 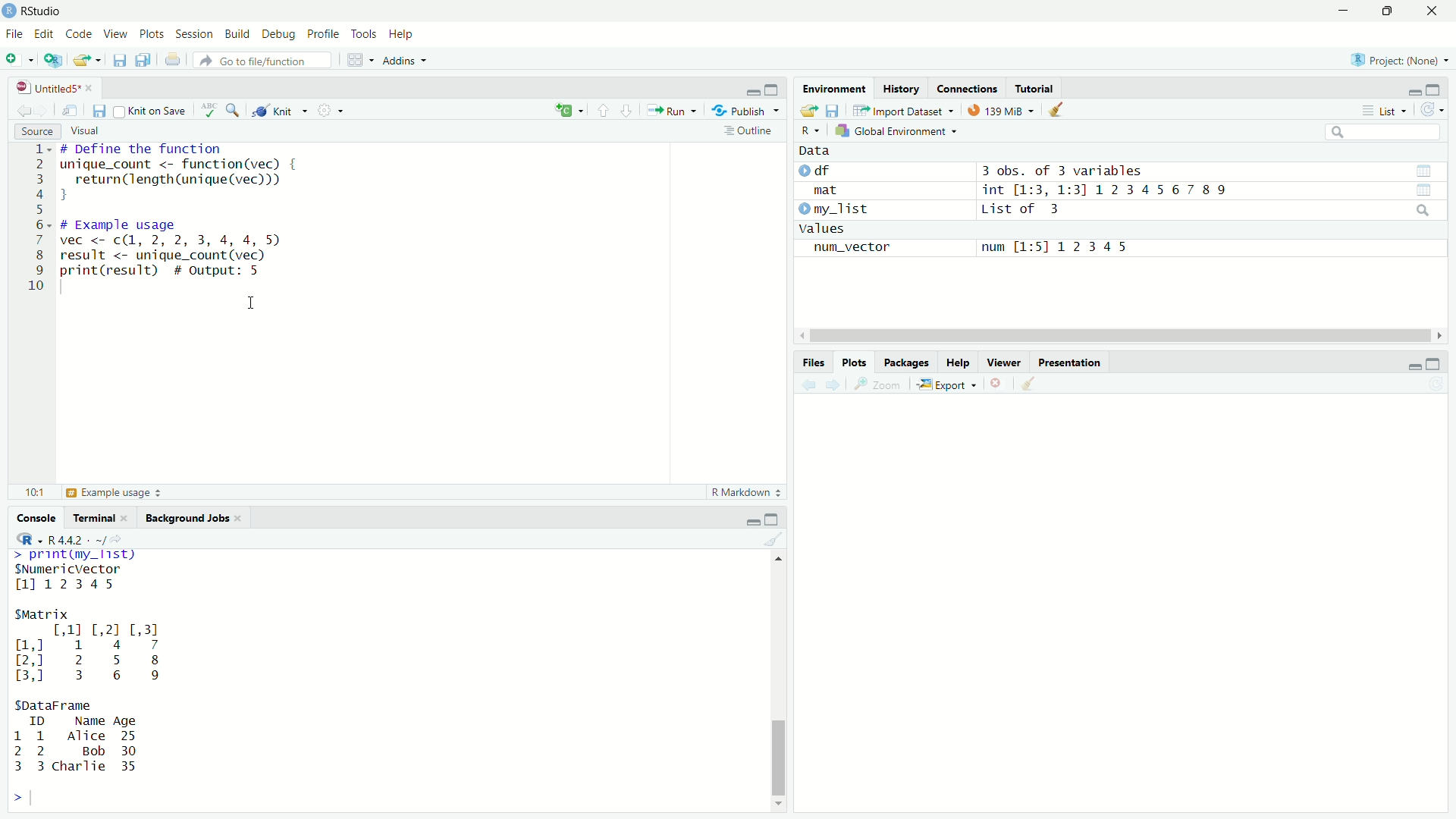 I want to click on Terminal, so click(x=98, y=519).